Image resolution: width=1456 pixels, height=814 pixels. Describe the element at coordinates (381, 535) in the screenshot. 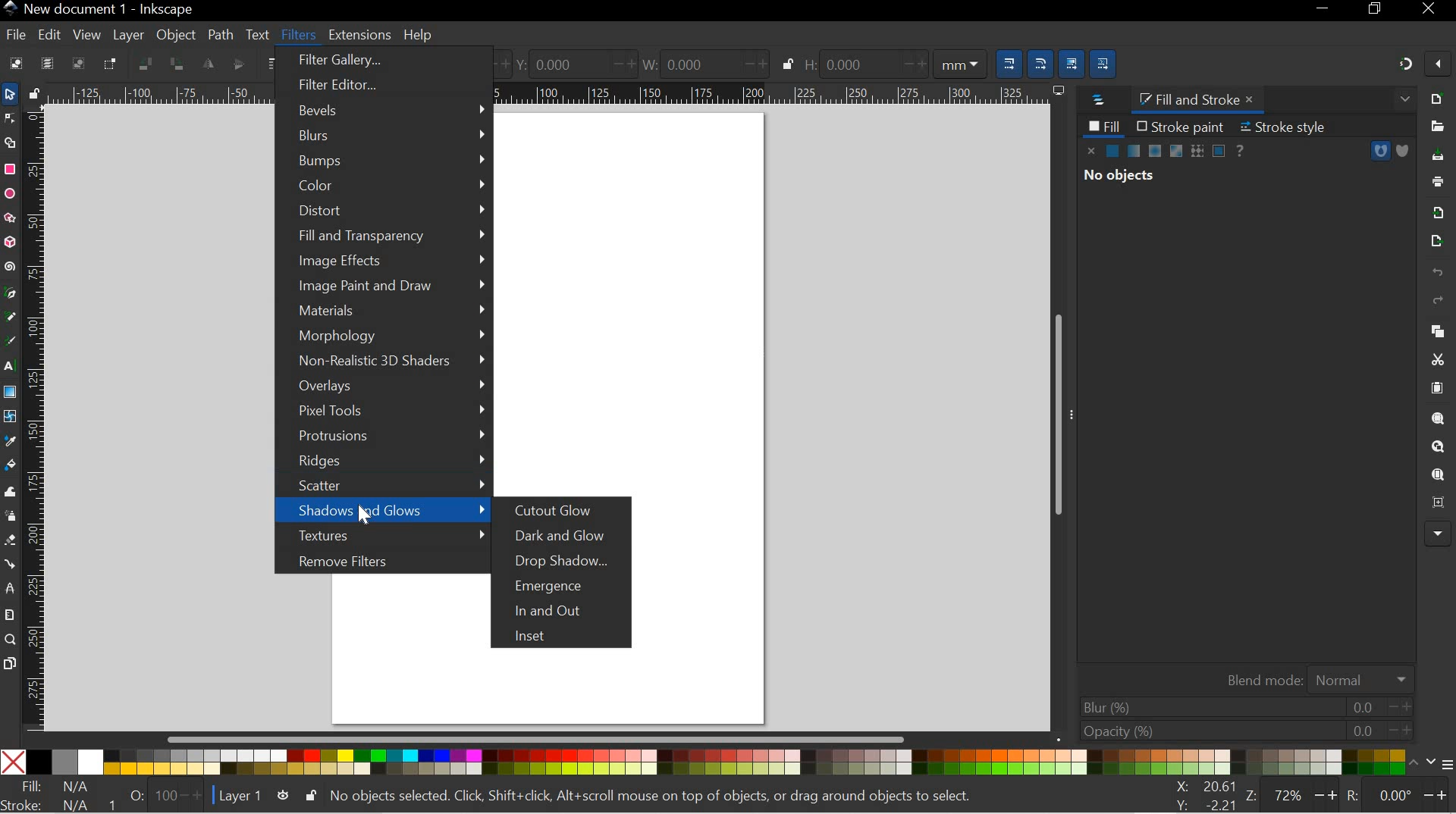

I see `TEXTURES` at that location.